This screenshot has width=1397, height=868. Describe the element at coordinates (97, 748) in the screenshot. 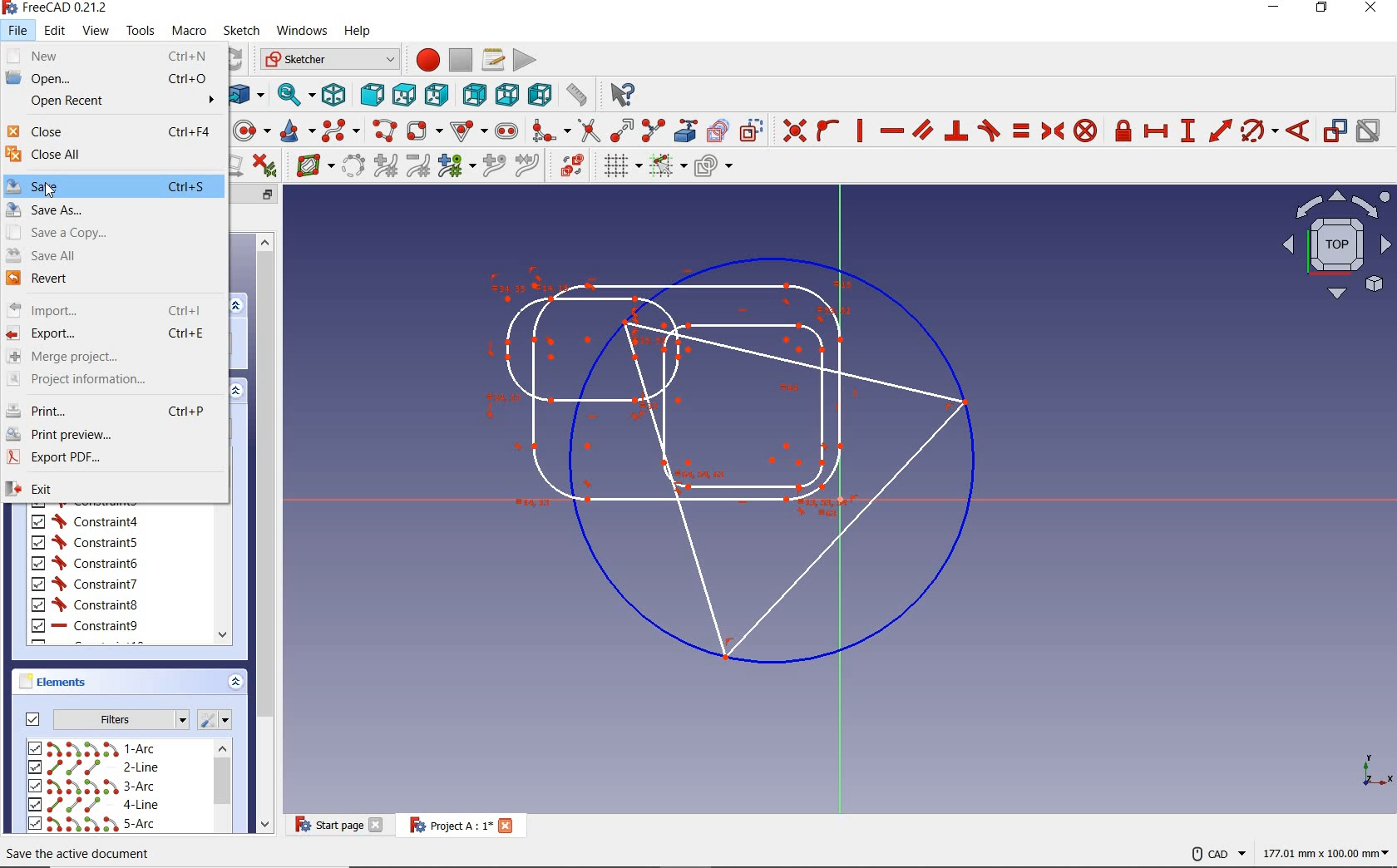

I see `1-arc` at that location.